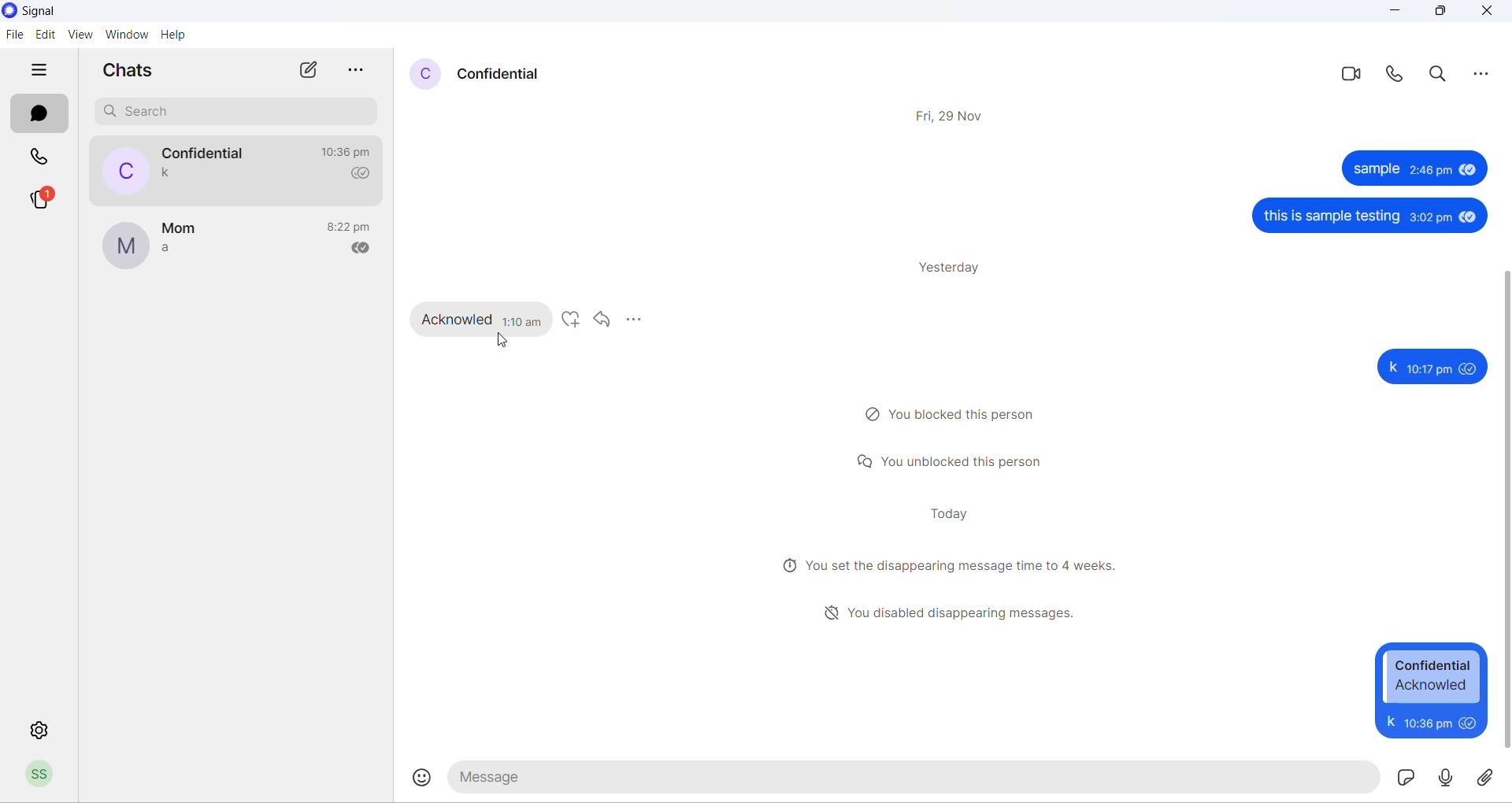 This screenshot has height=803, width=1512. I want to click on Confidential Acknowled, so click(1432, 676).